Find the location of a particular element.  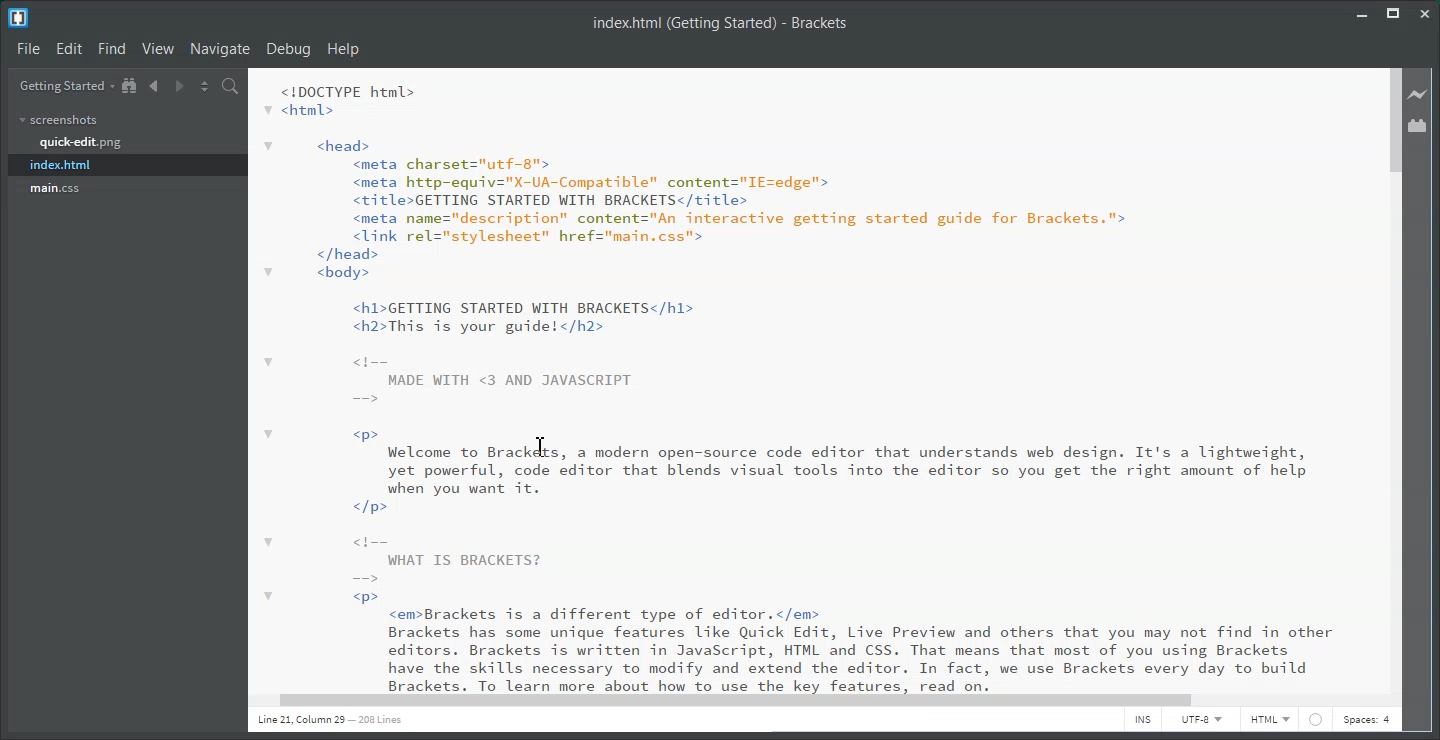

Find is located at coordinates (113, 49).